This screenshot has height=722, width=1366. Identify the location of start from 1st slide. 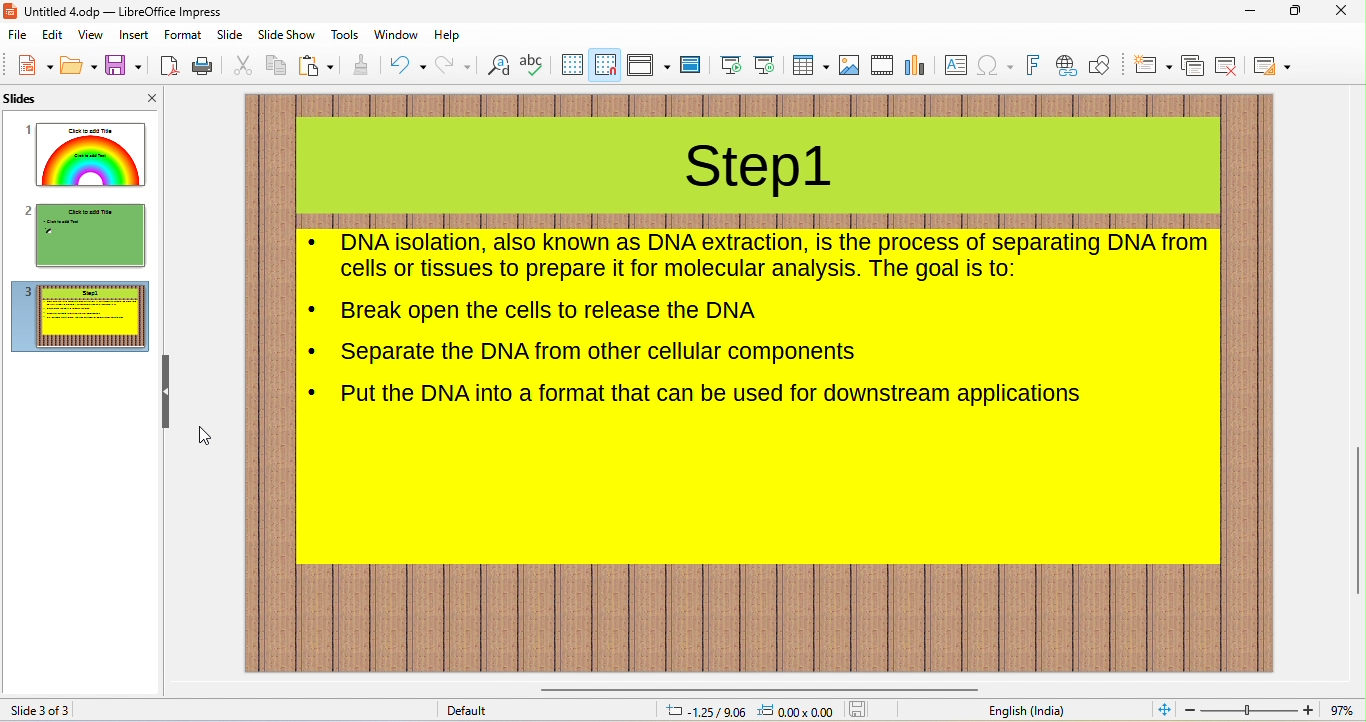
(732, 66).